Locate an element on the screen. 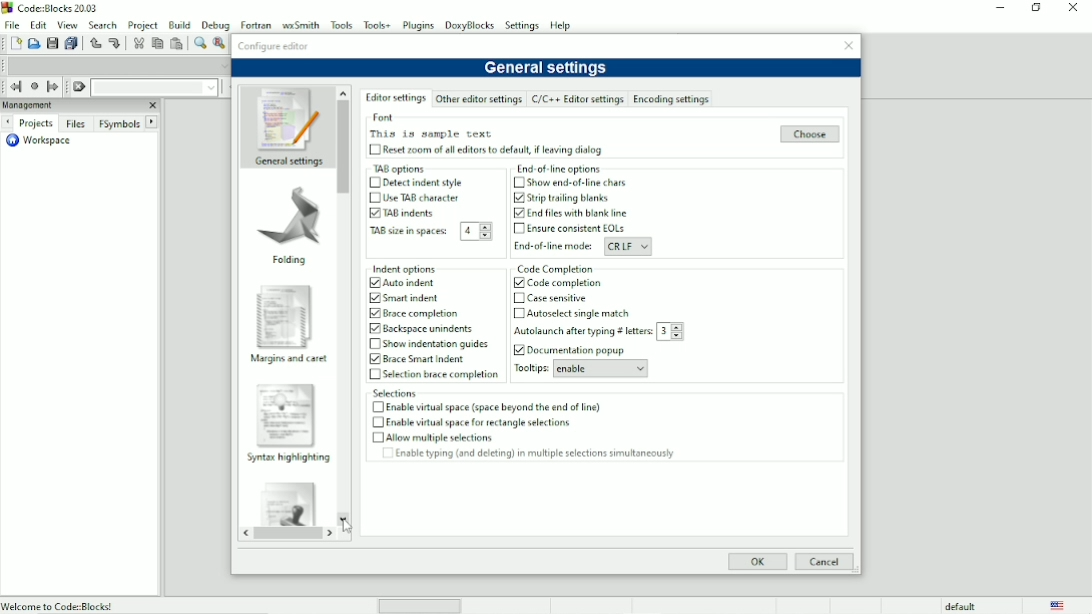 This screenshot has width=1092, height=614. Plugins is located at coordinates (420, 25).